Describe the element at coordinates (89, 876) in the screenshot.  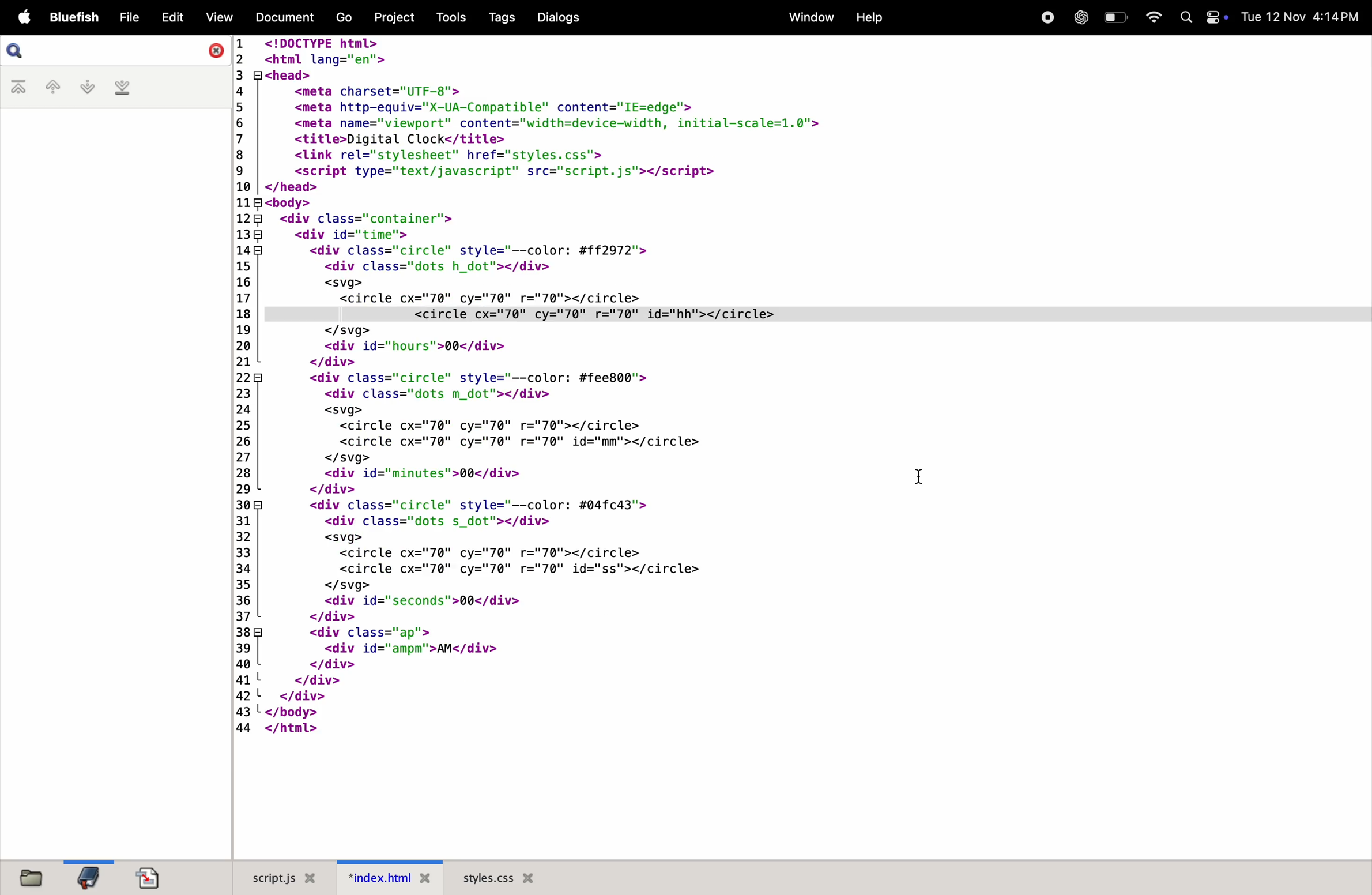
I see `bookmaark` at that location.